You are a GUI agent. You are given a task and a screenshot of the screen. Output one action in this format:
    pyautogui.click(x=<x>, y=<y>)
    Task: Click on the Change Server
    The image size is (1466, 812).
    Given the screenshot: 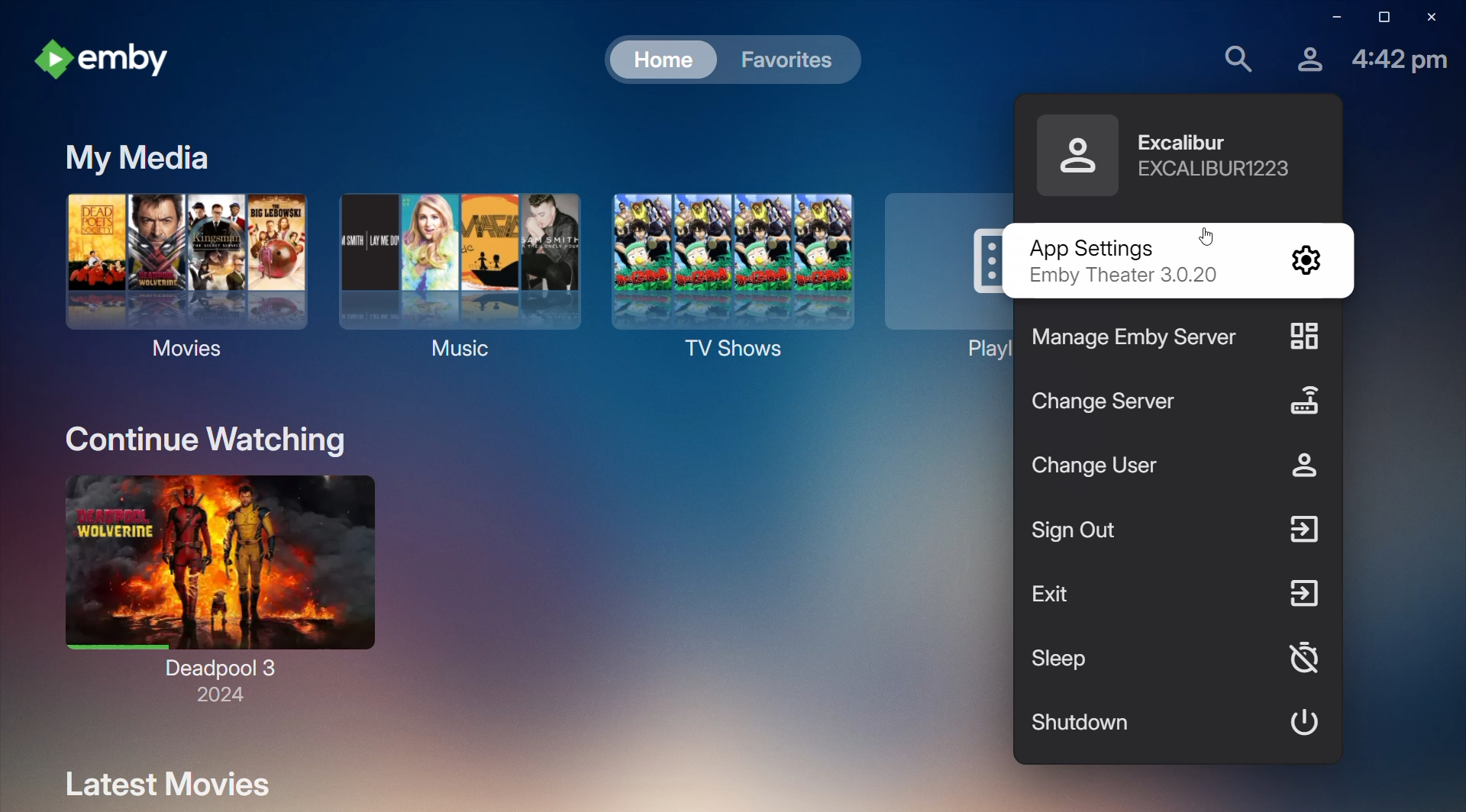 What is the action you would take?
    pyautogui.click(x=1183, y=401)
    